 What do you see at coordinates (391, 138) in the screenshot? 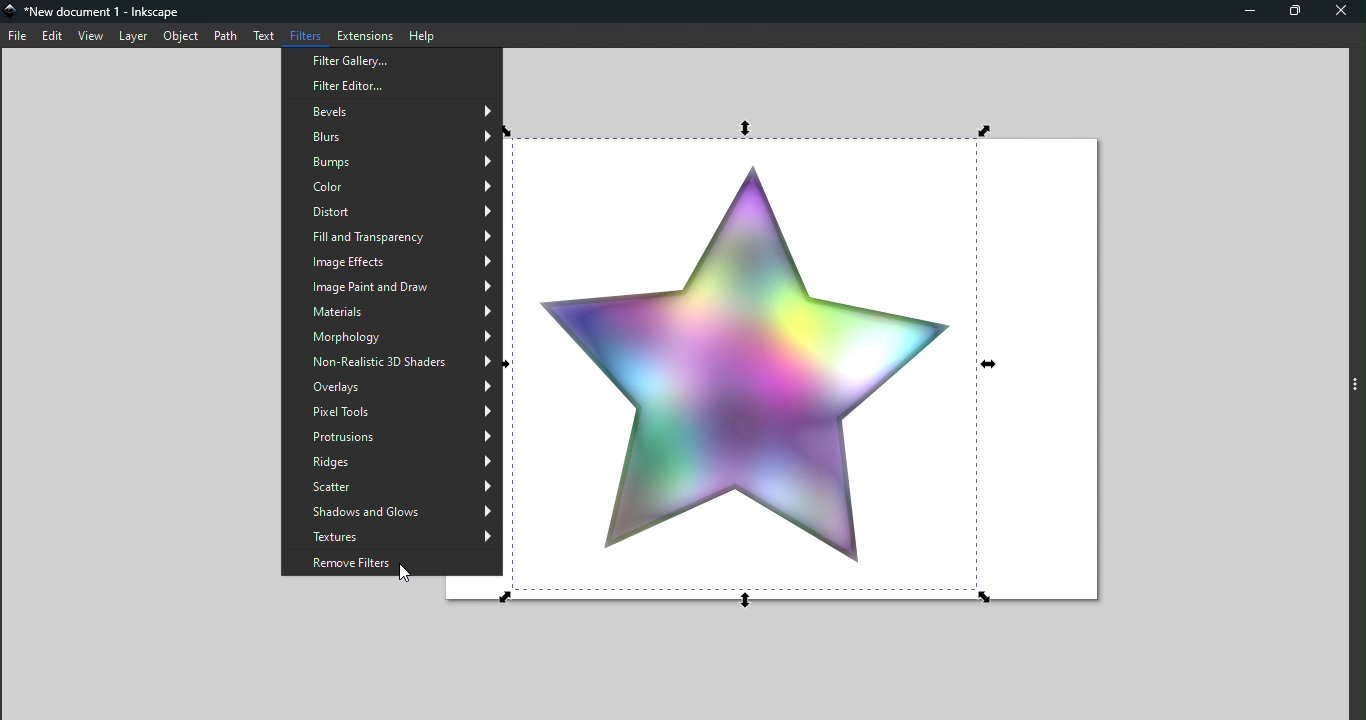
I see `Blurs` at bounding box center [391, 138].